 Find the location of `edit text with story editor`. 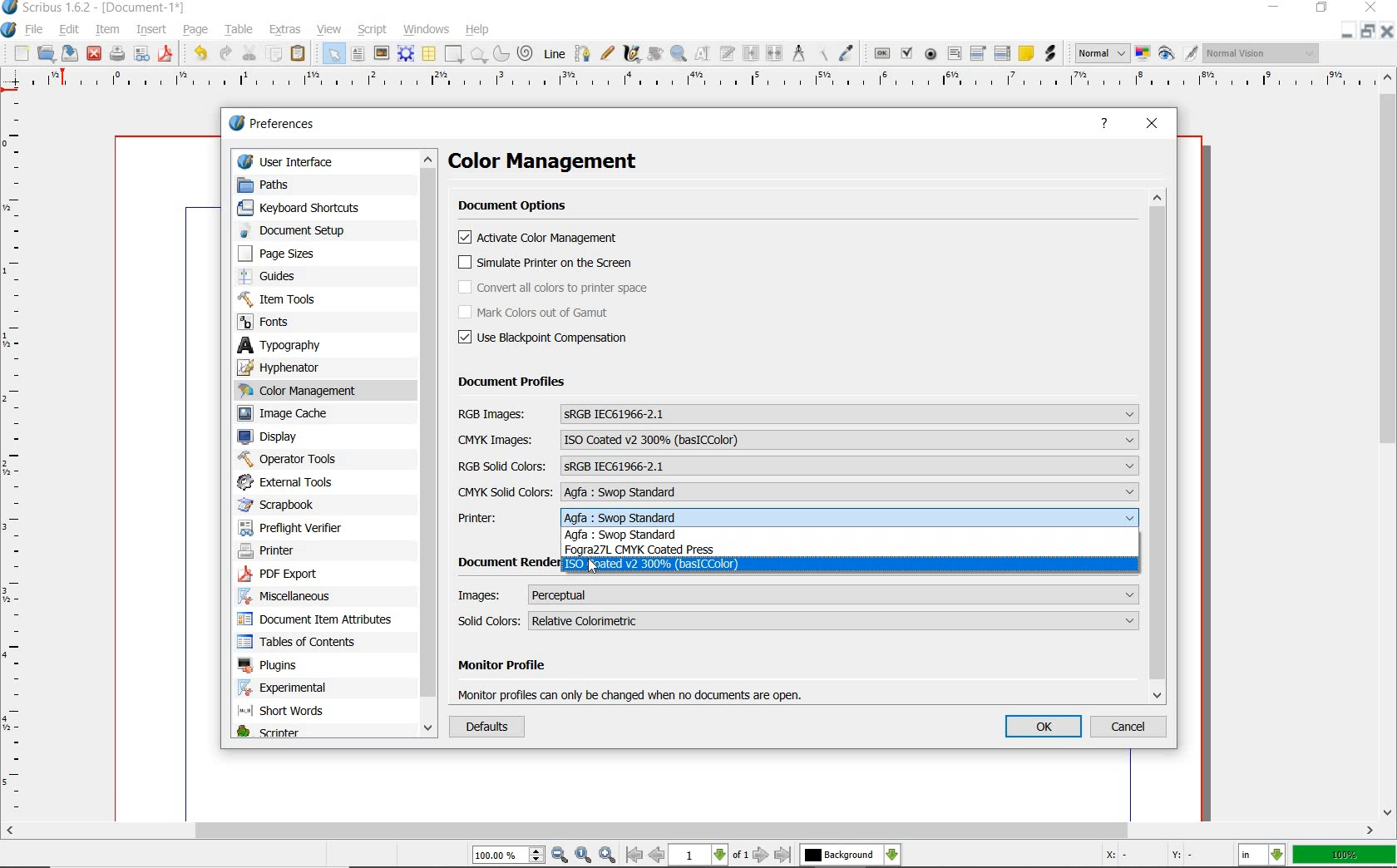

edit text with story editor is located at coordinates (728, 53).